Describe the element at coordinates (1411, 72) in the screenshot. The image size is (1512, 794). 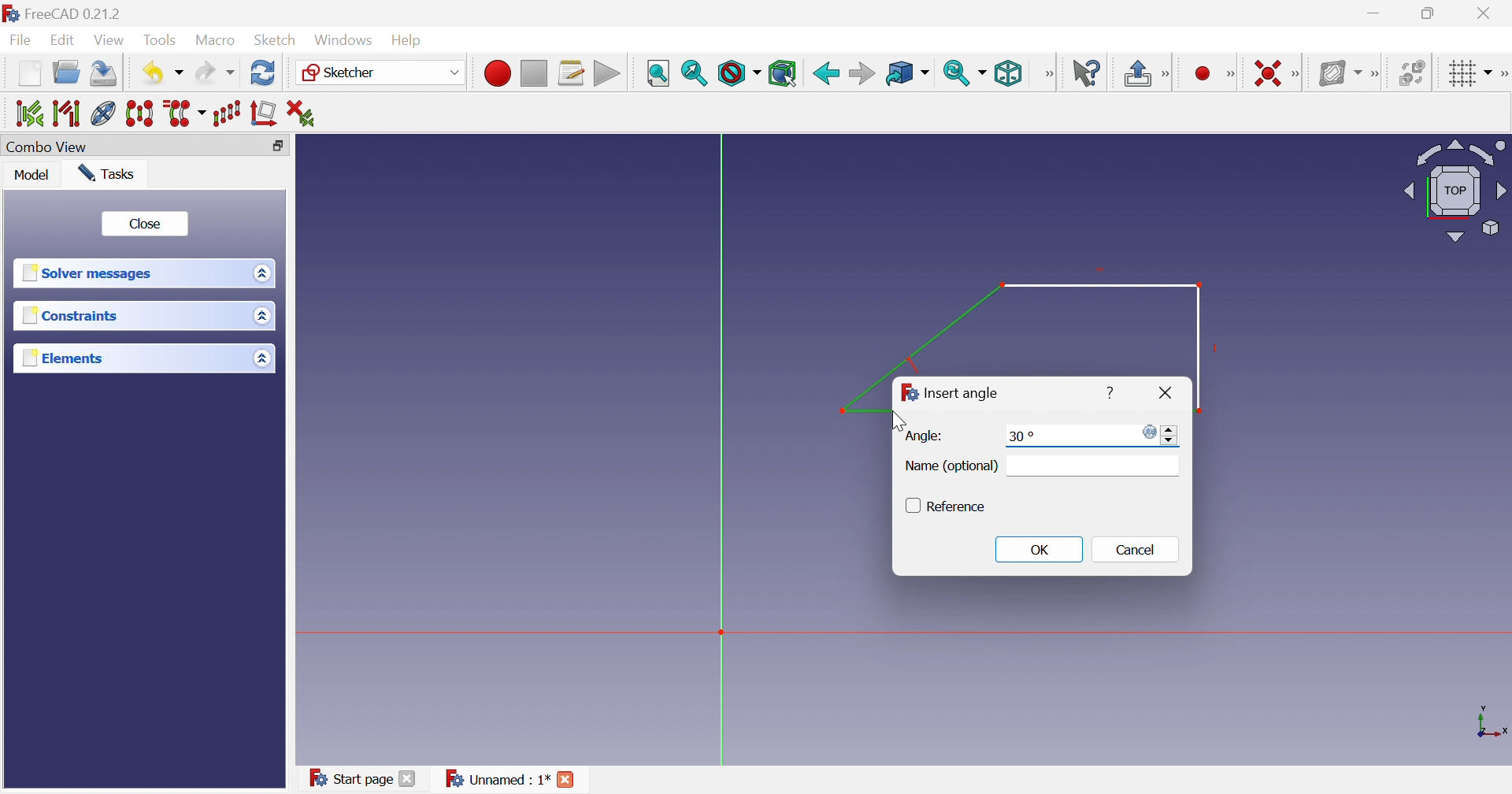
I see `Show virtual space` at that location.